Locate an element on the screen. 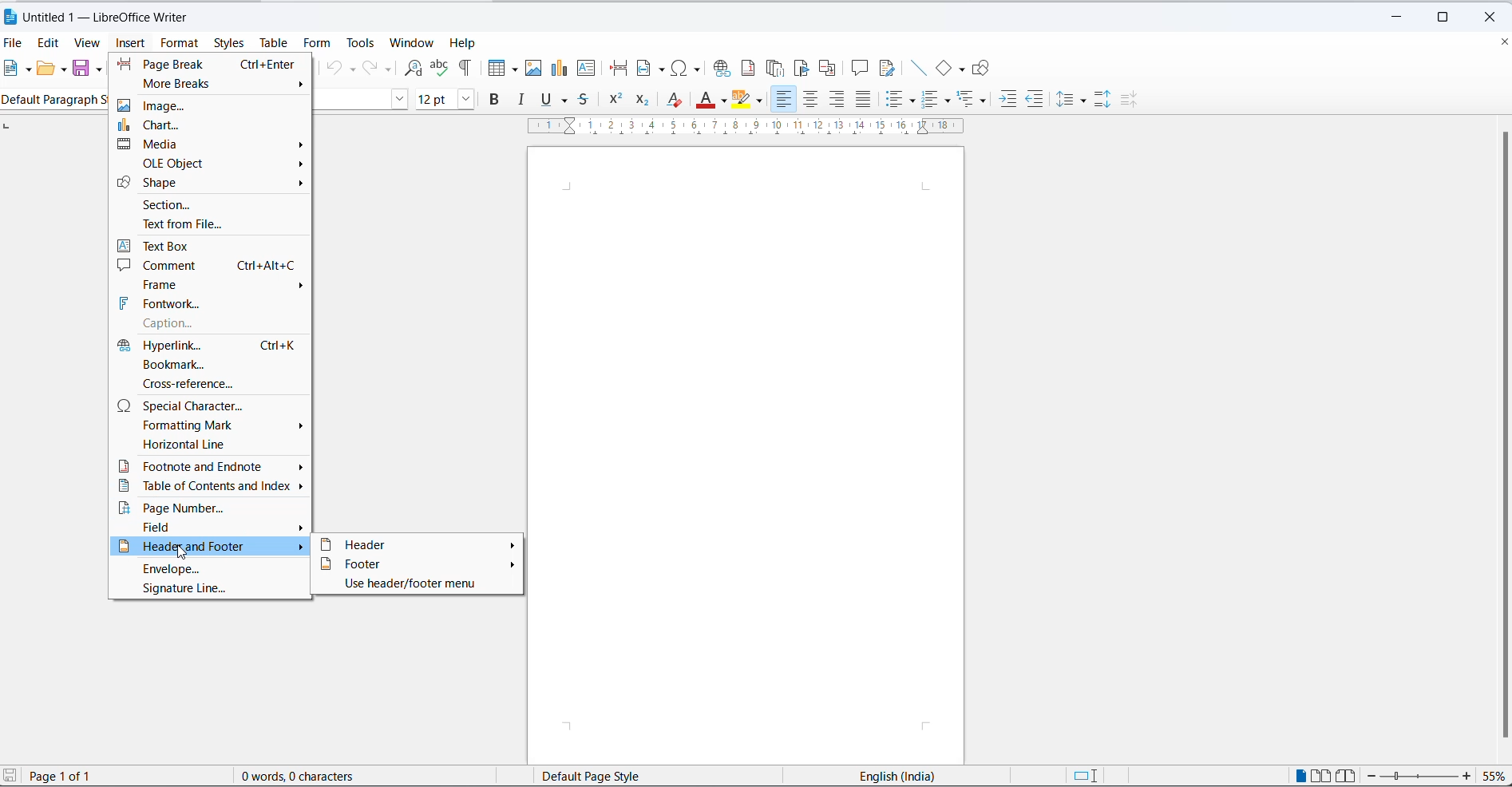  page number  is located at coordinates (212, 507).